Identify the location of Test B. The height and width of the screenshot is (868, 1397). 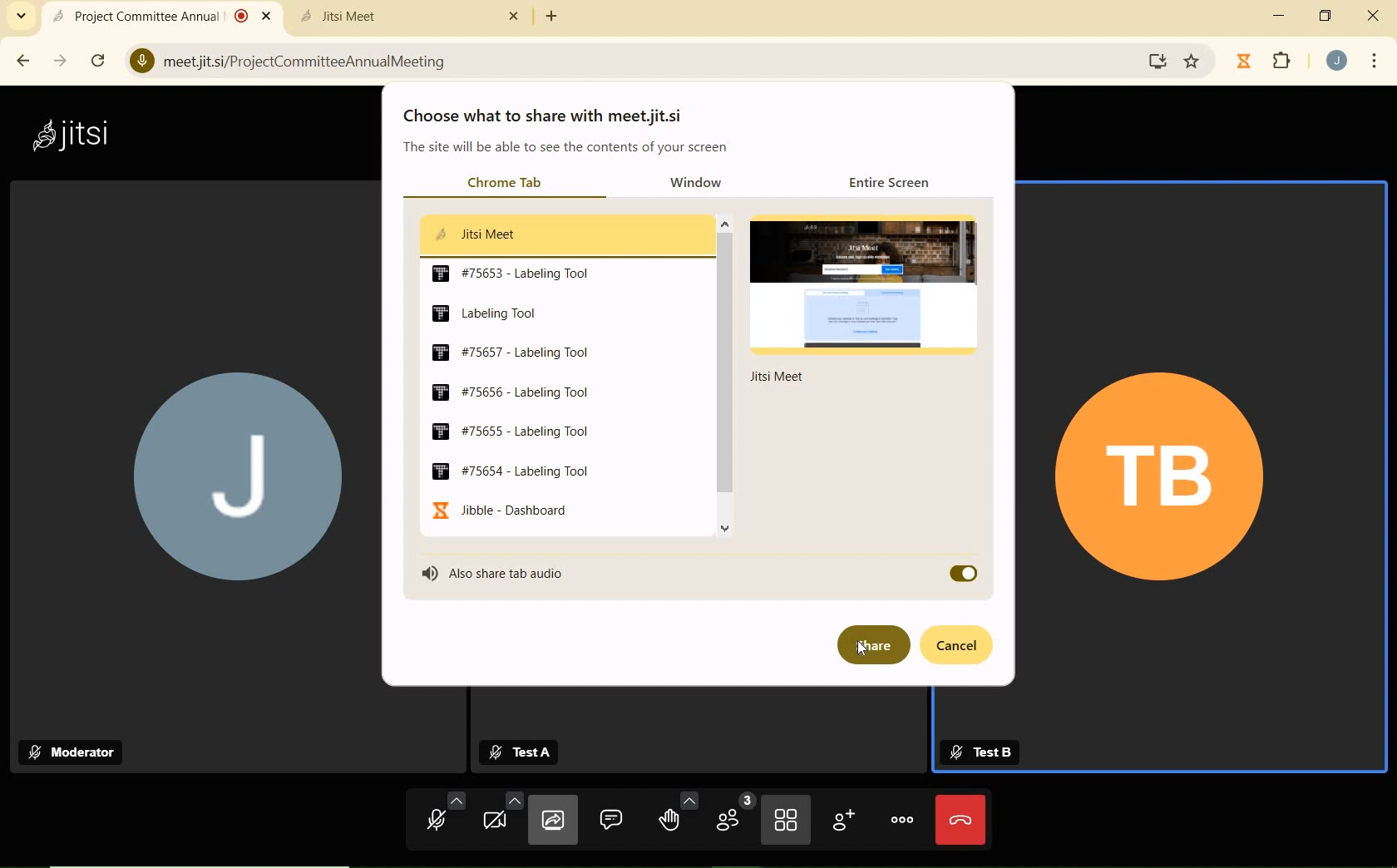
(980, 749).